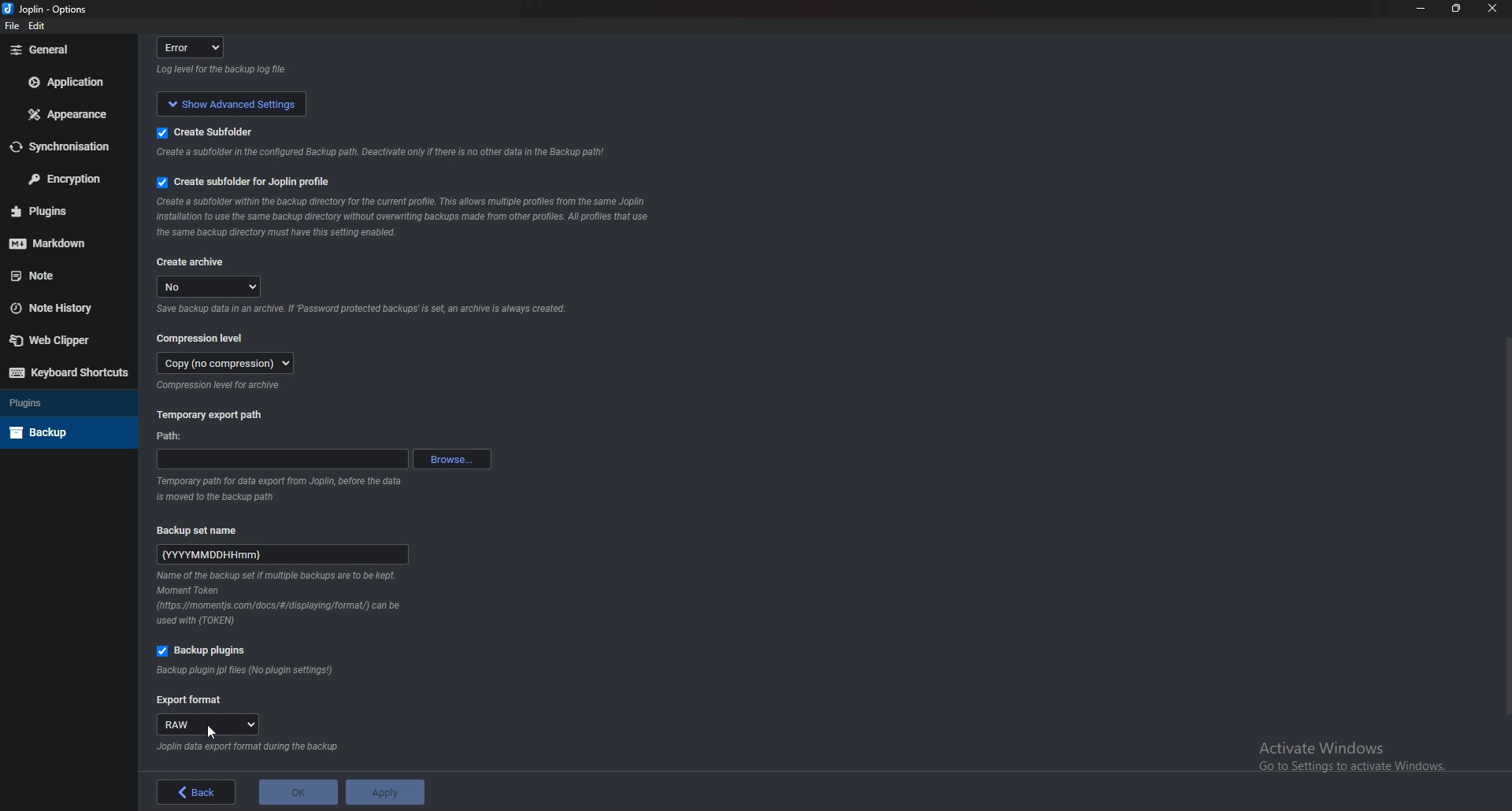  I want to click on Info, so click(246, 747).